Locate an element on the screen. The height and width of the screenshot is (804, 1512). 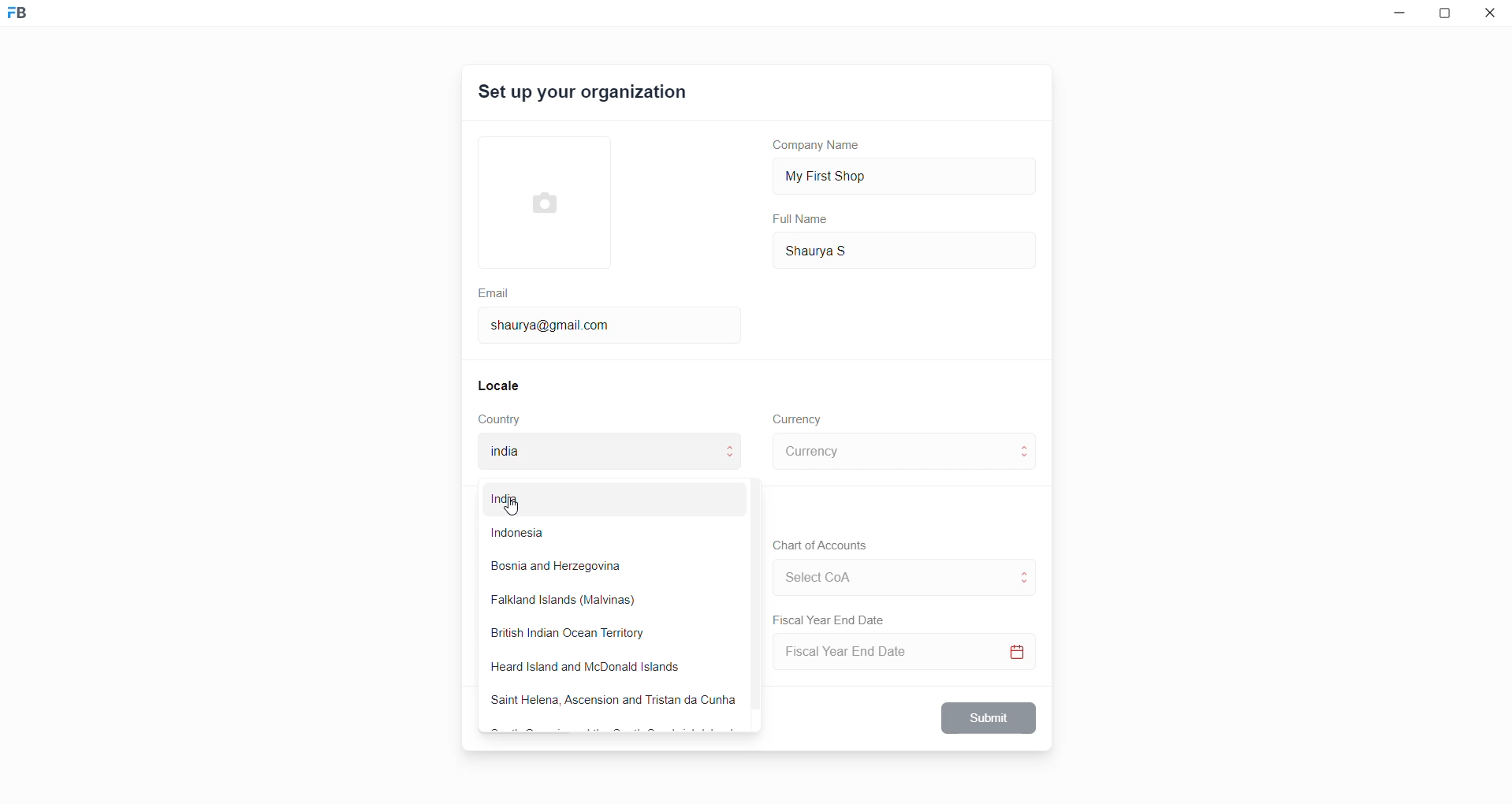
move to below CoA is located at coordinates (1026, 585).